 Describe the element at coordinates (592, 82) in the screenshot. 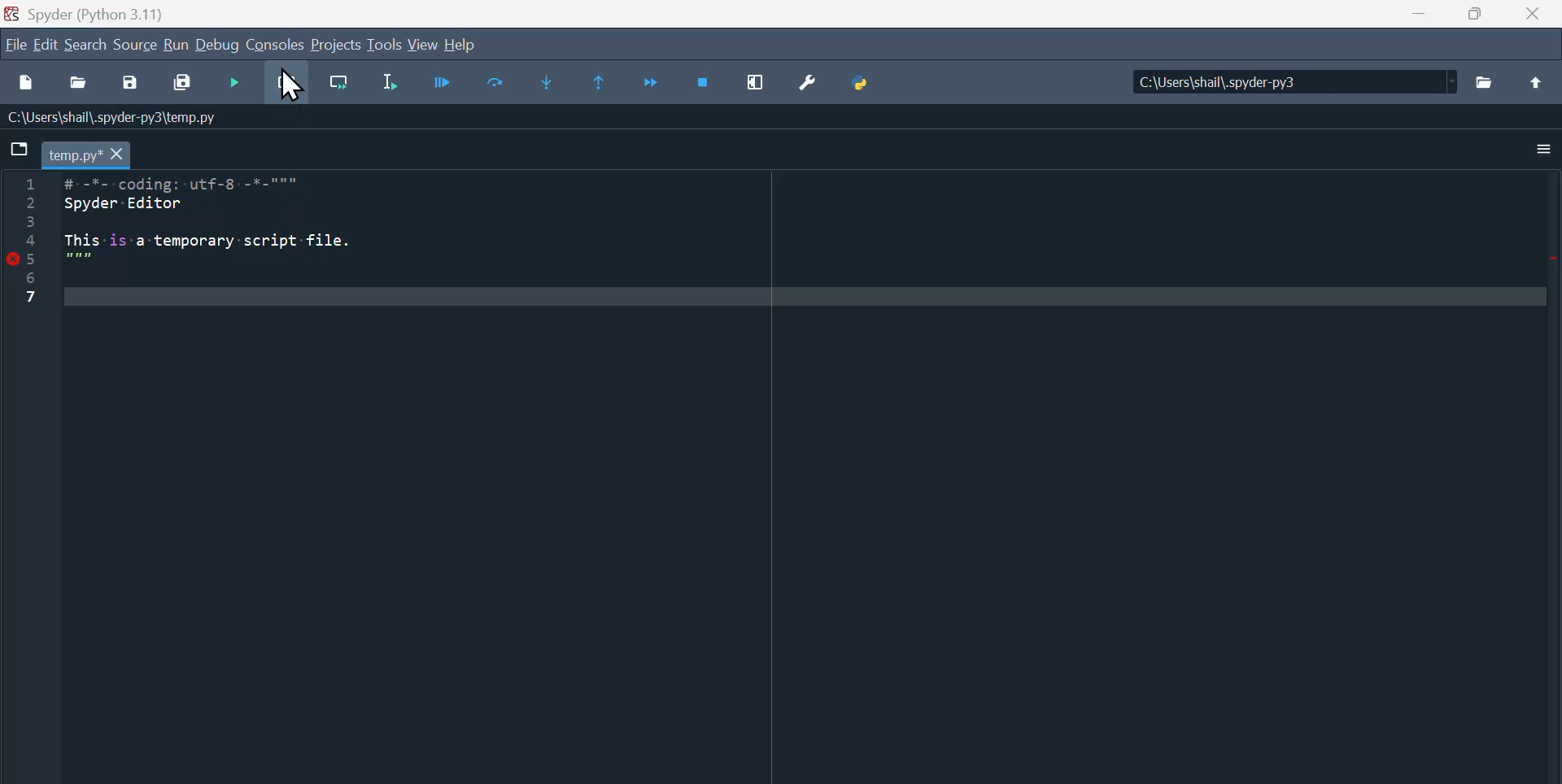

I see `Continue execution until same function returns` at that location.